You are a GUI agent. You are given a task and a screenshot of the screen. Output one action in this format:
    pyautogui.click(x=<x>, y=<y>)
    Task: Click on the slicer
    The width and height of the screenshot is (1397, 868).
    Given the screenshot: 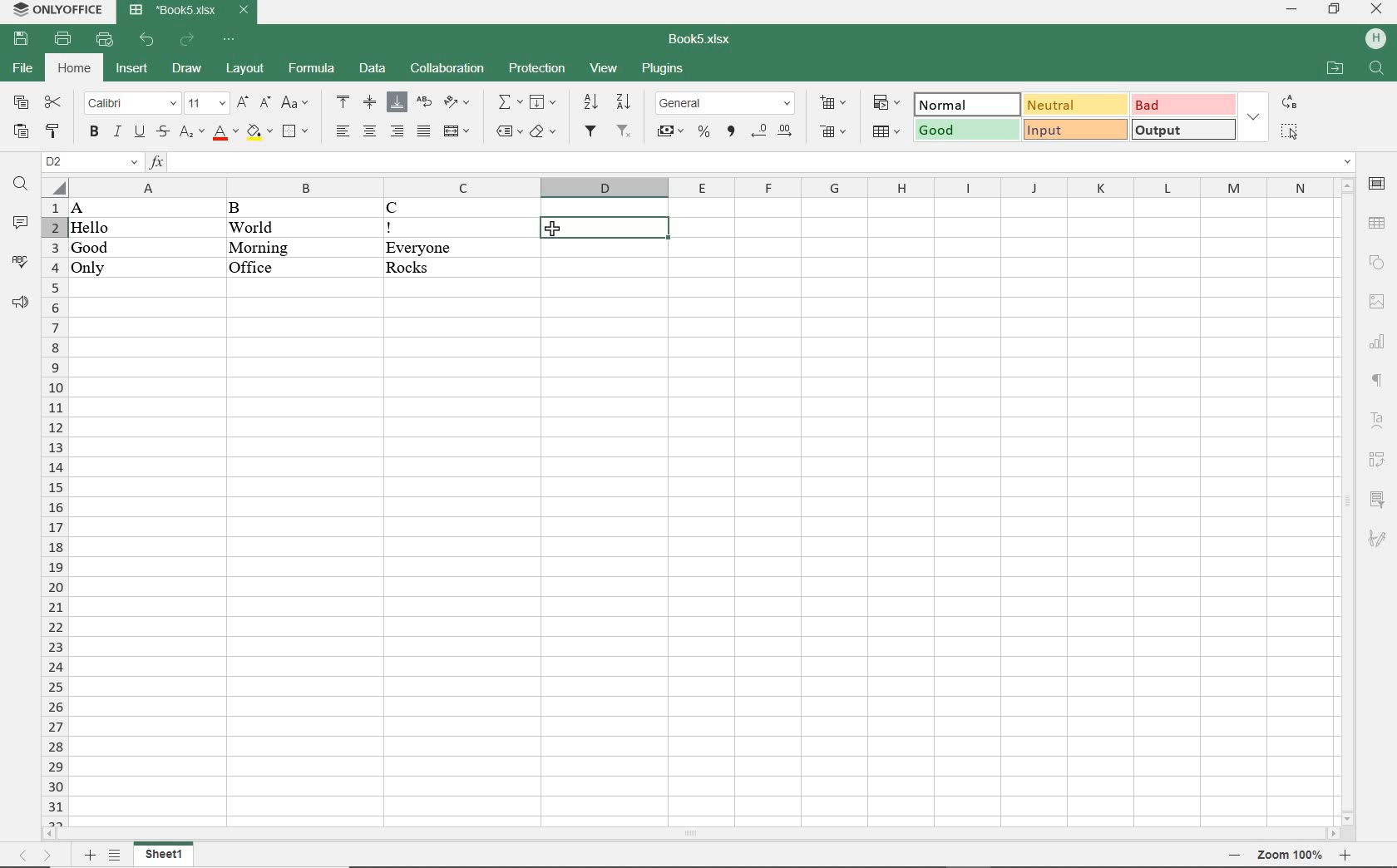 What is the action you would take?
    pyautogui.click(x=1376, y=498)
    